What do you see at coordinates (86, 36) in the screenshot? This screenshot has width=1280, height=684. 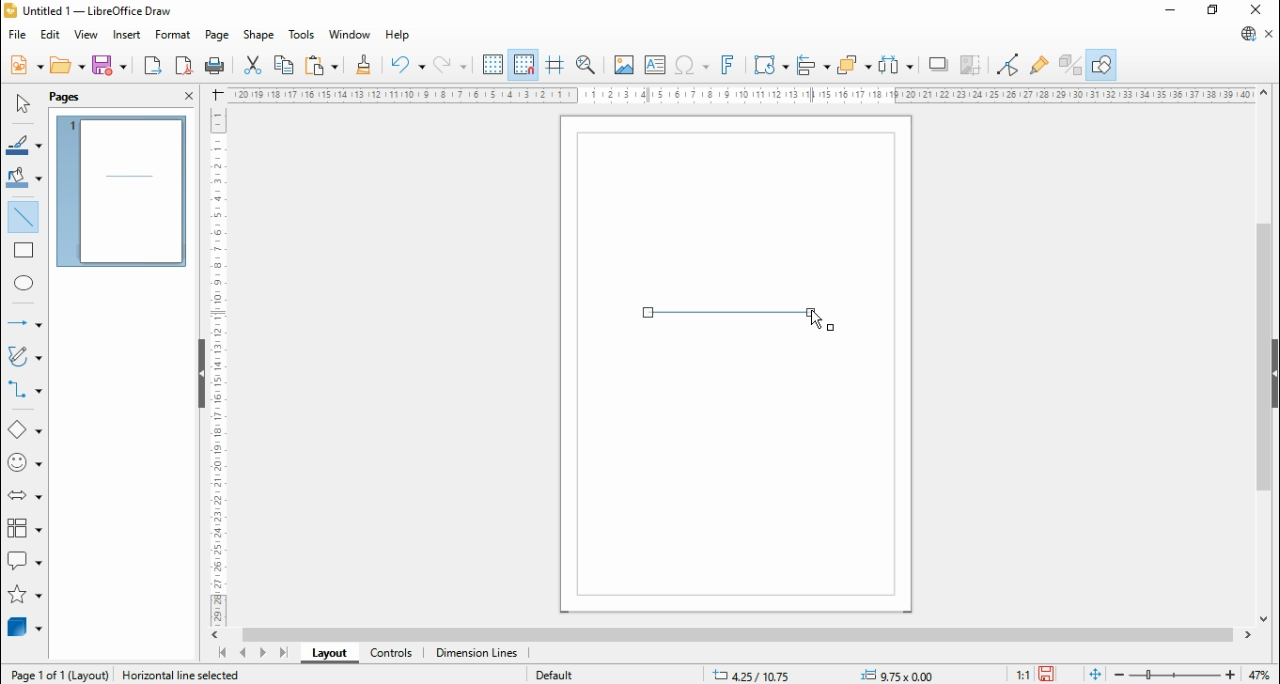 I see `view` at bounding box center [86, 36].